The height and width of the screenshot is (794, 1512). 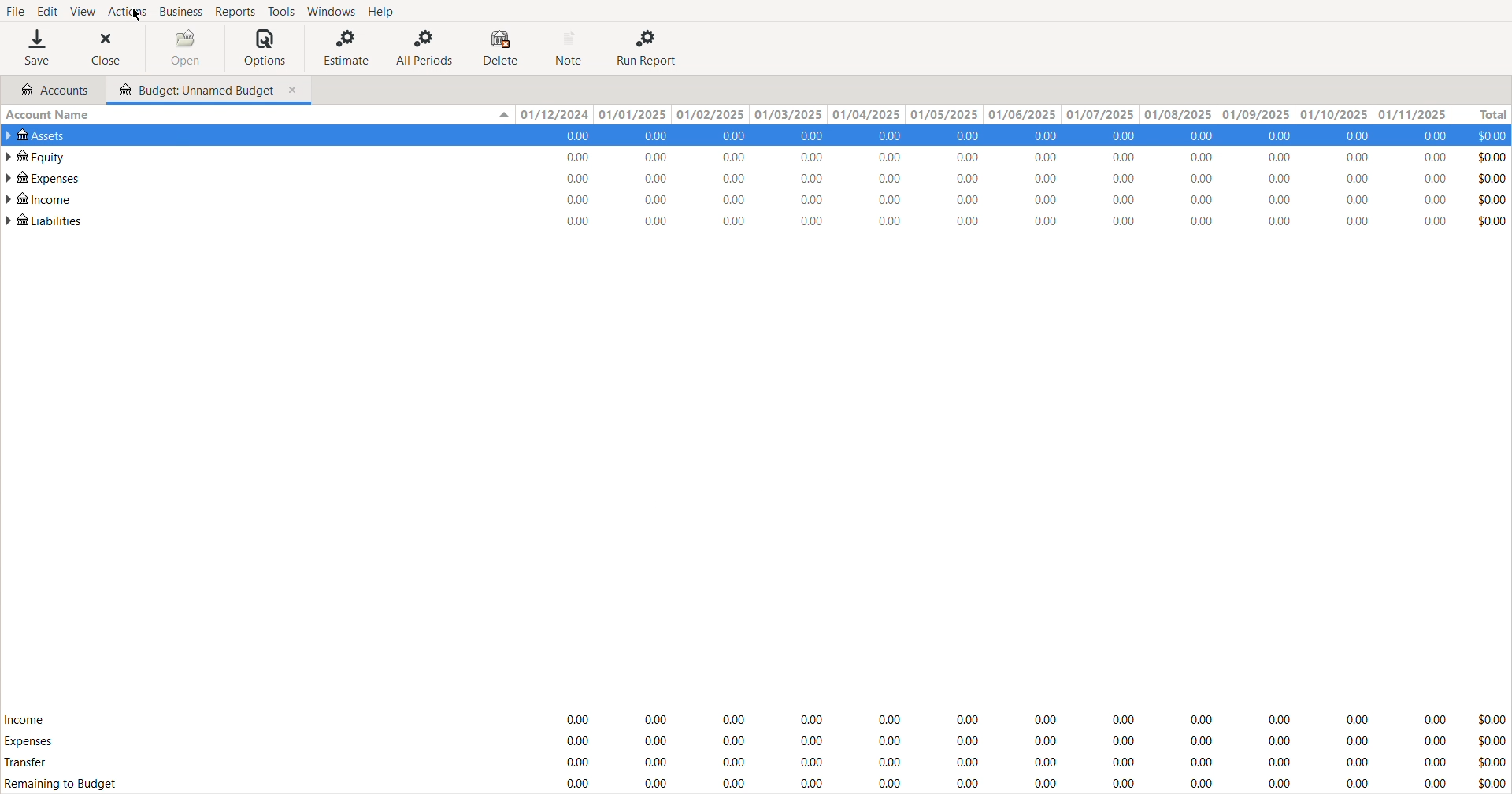 What do you see at coordinates (37, 47) in the screenshot?
I see `Save` at bounding box center [37, 47].